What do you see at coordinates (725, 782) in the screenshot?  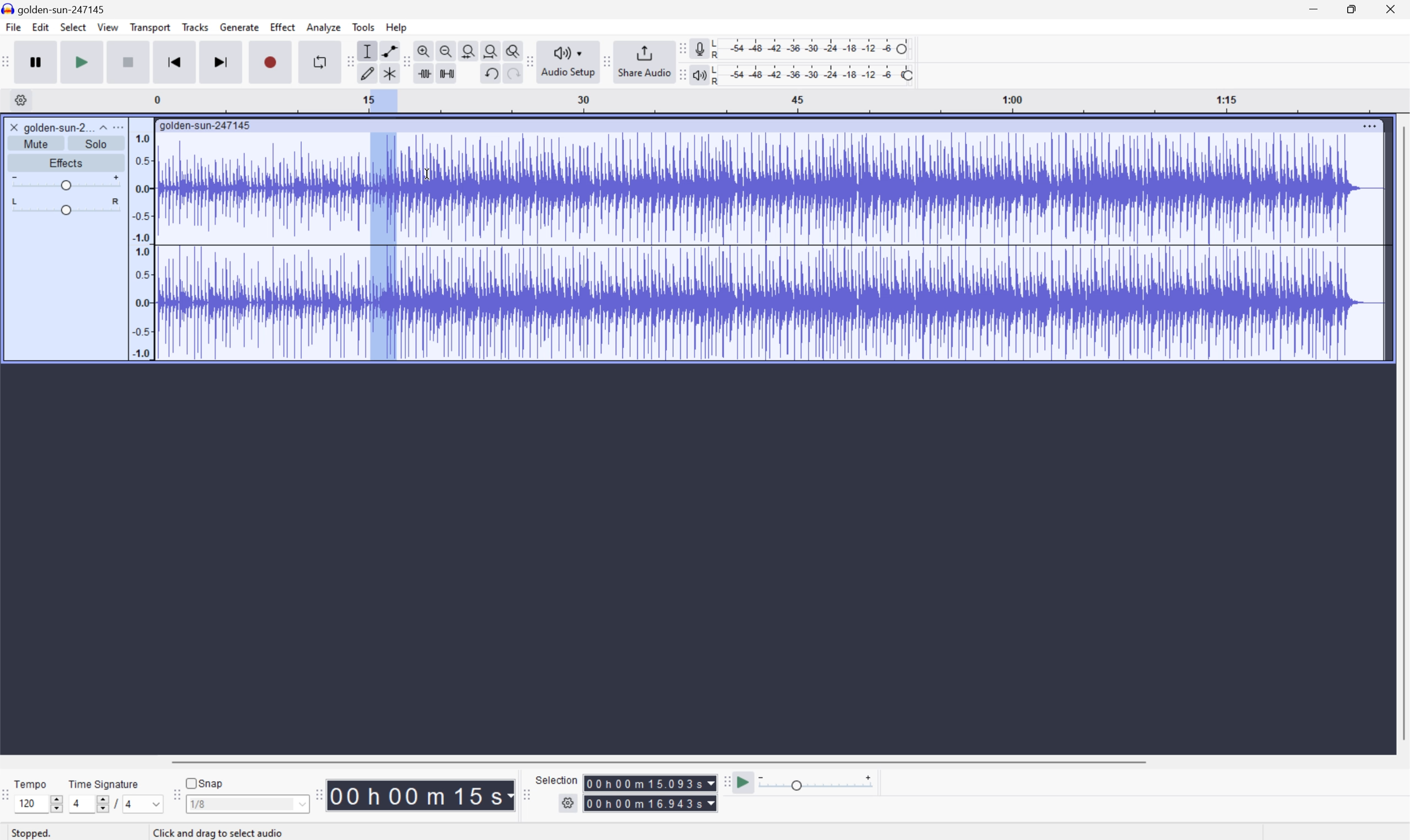 I see `Audacity play at speed toolbar` at bounding box center [725, 782].